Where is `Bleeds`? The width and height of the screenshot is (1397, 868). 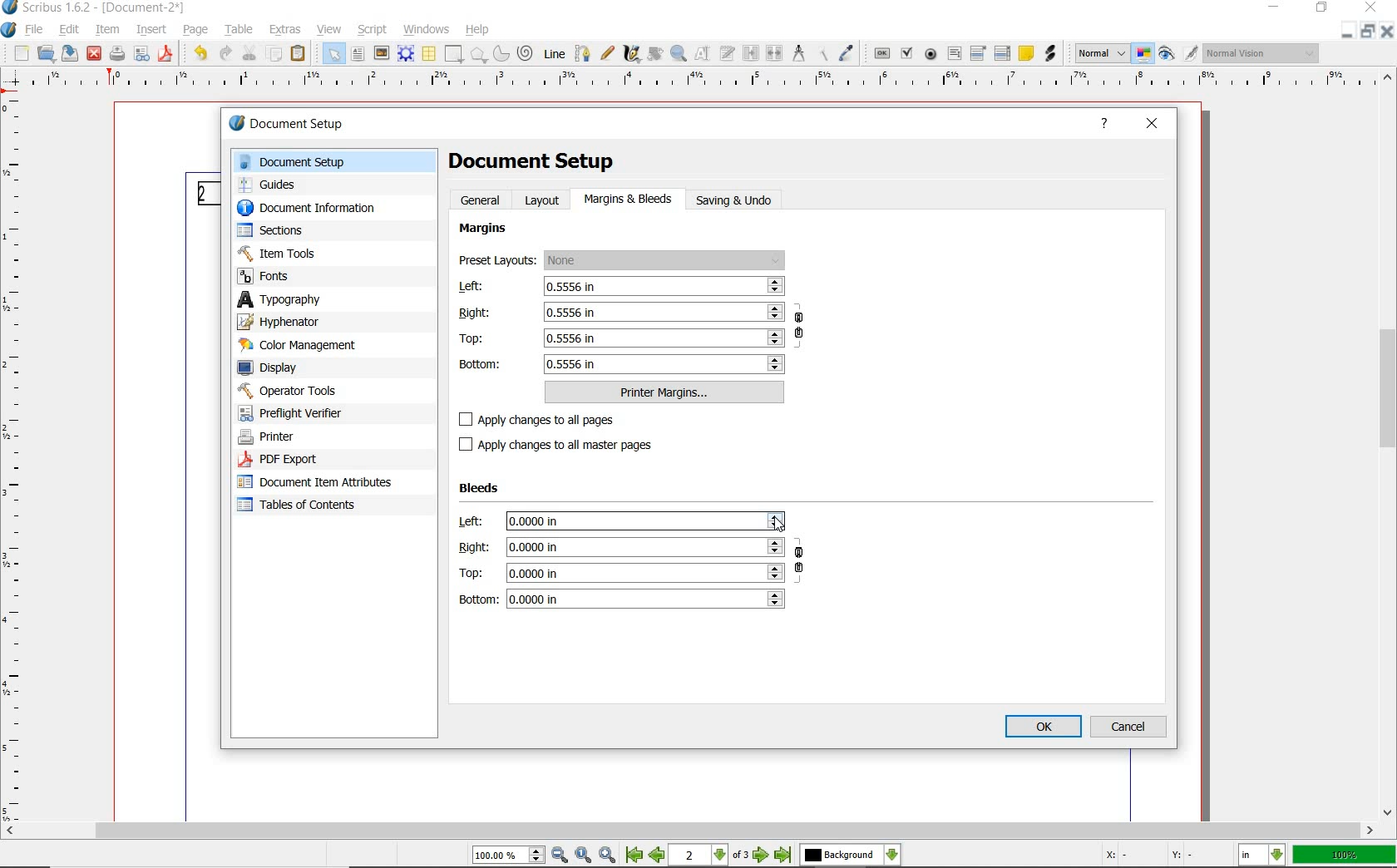 Bleeds is located at coordinates (482, 489).